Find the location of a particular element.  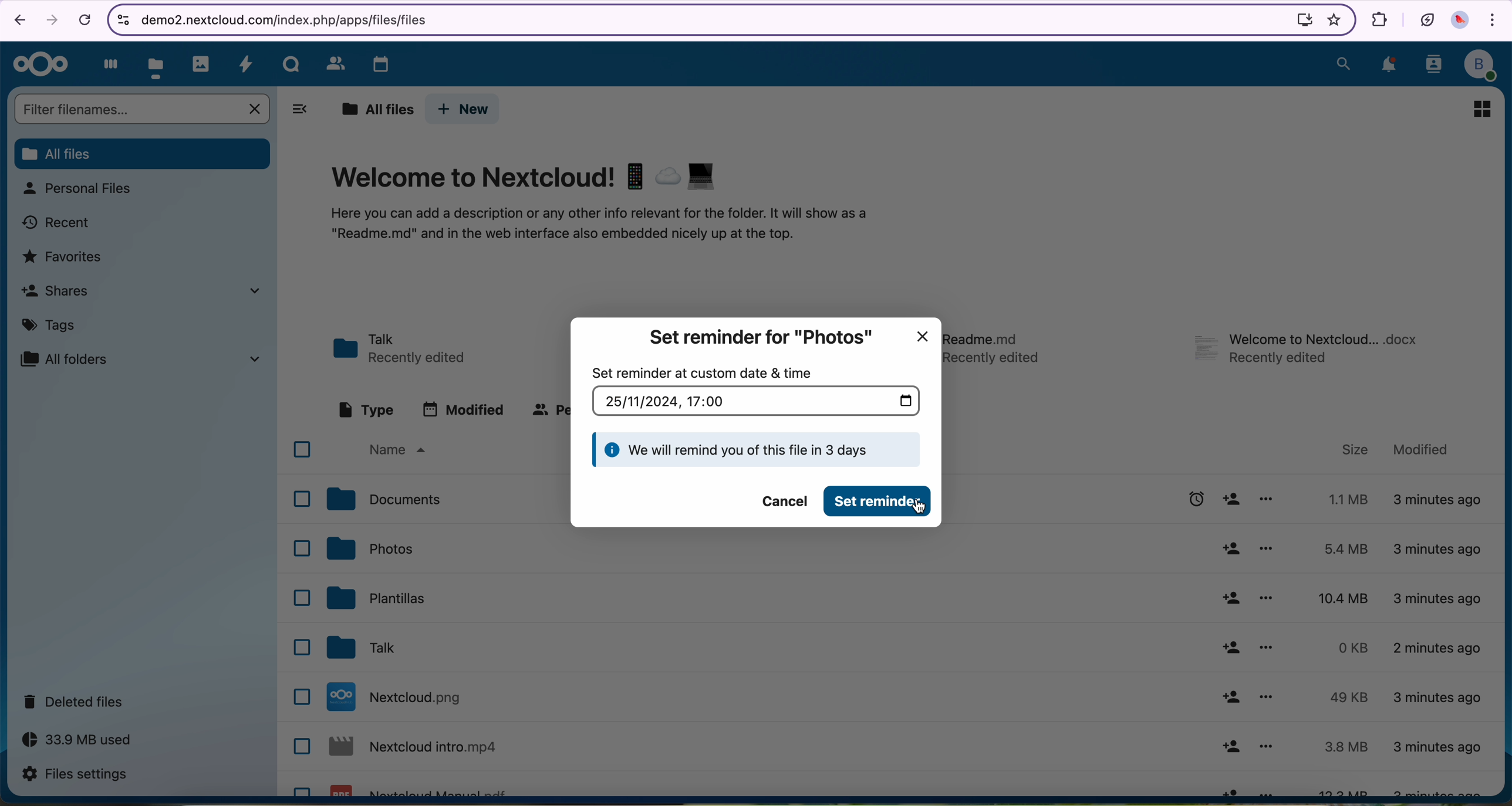

people is located at coordinates (549, 412).